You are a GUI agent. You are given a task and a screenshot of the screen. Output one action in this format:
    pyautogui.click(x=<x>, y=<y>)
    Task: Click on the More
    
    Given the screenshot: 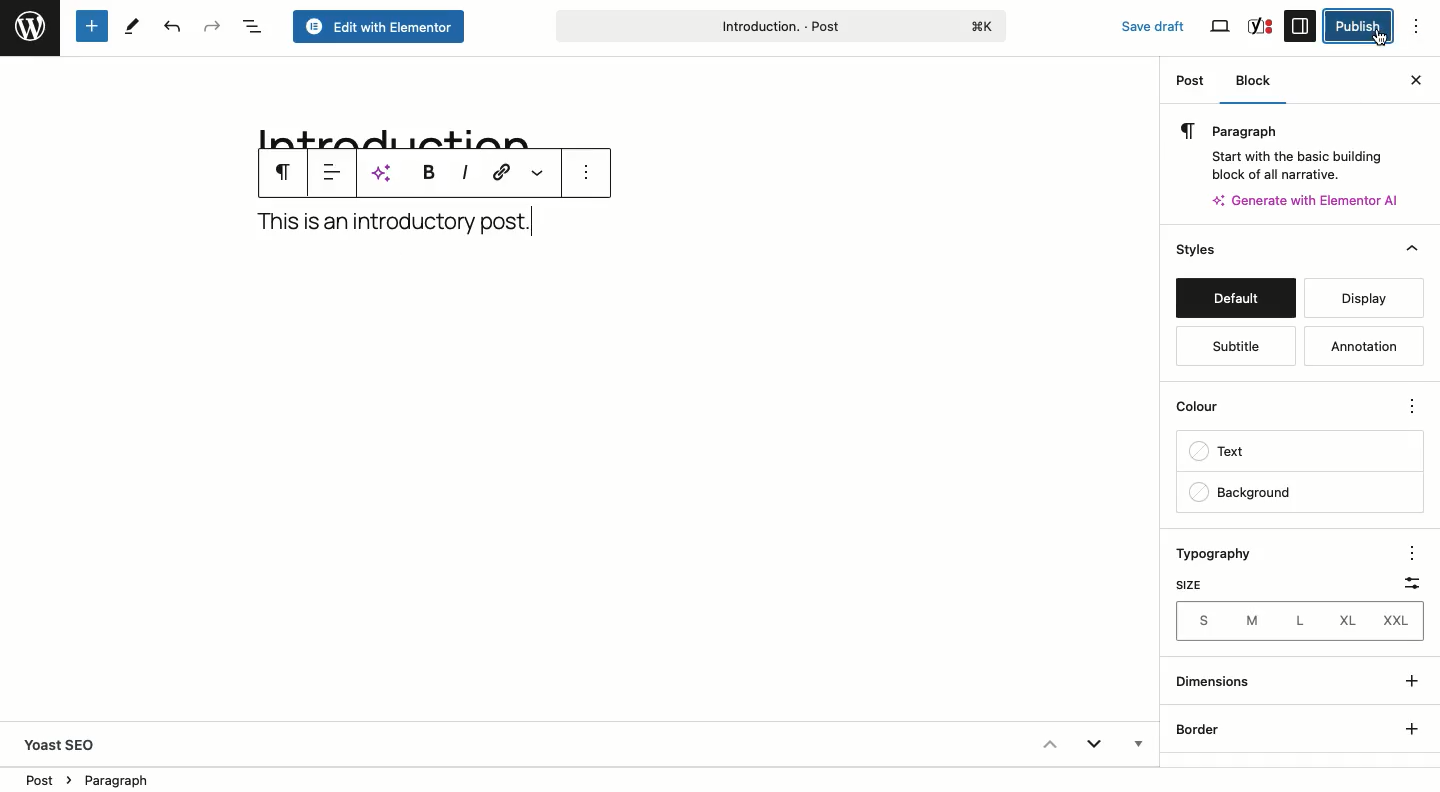 What is the action you would take?
    pyautogui.click(x=541, y=173)
    